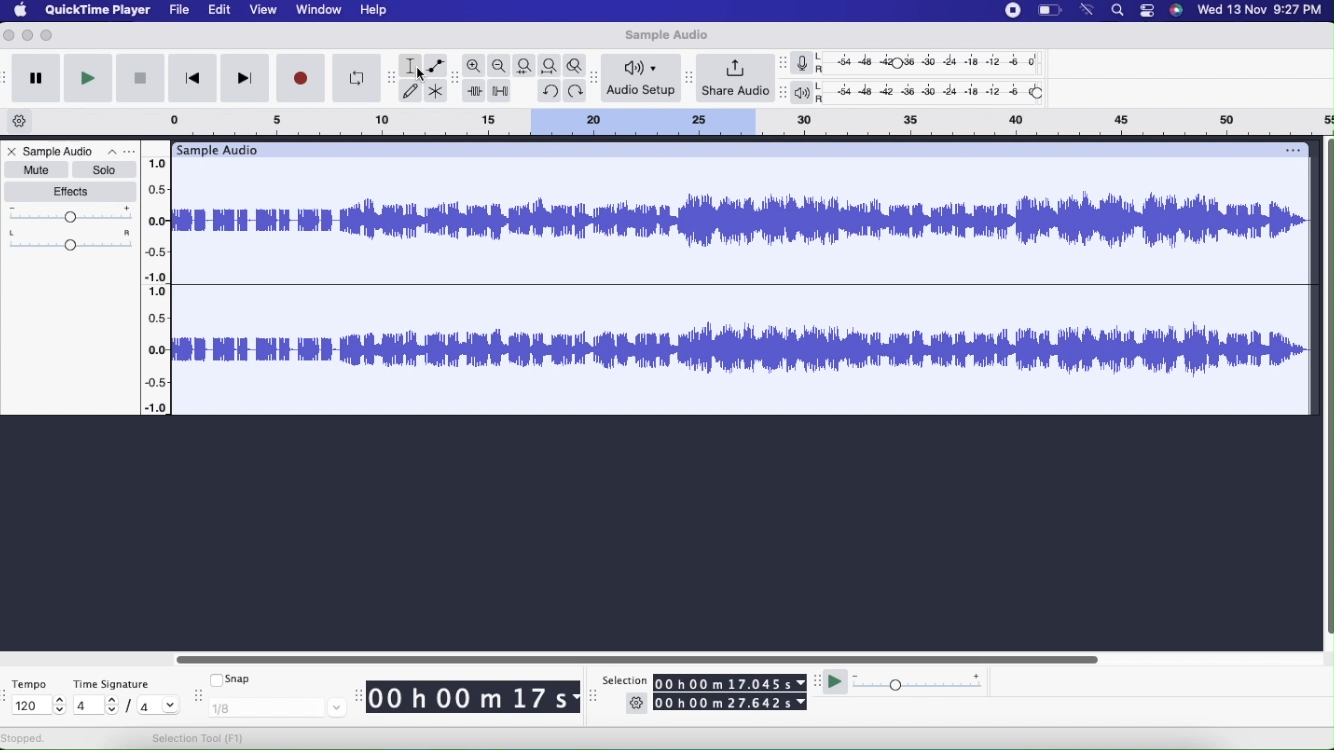  What do you see at coordinates (784, 93) in the screenshot?
I see `move toolbar` at bounding box center [784, 93].